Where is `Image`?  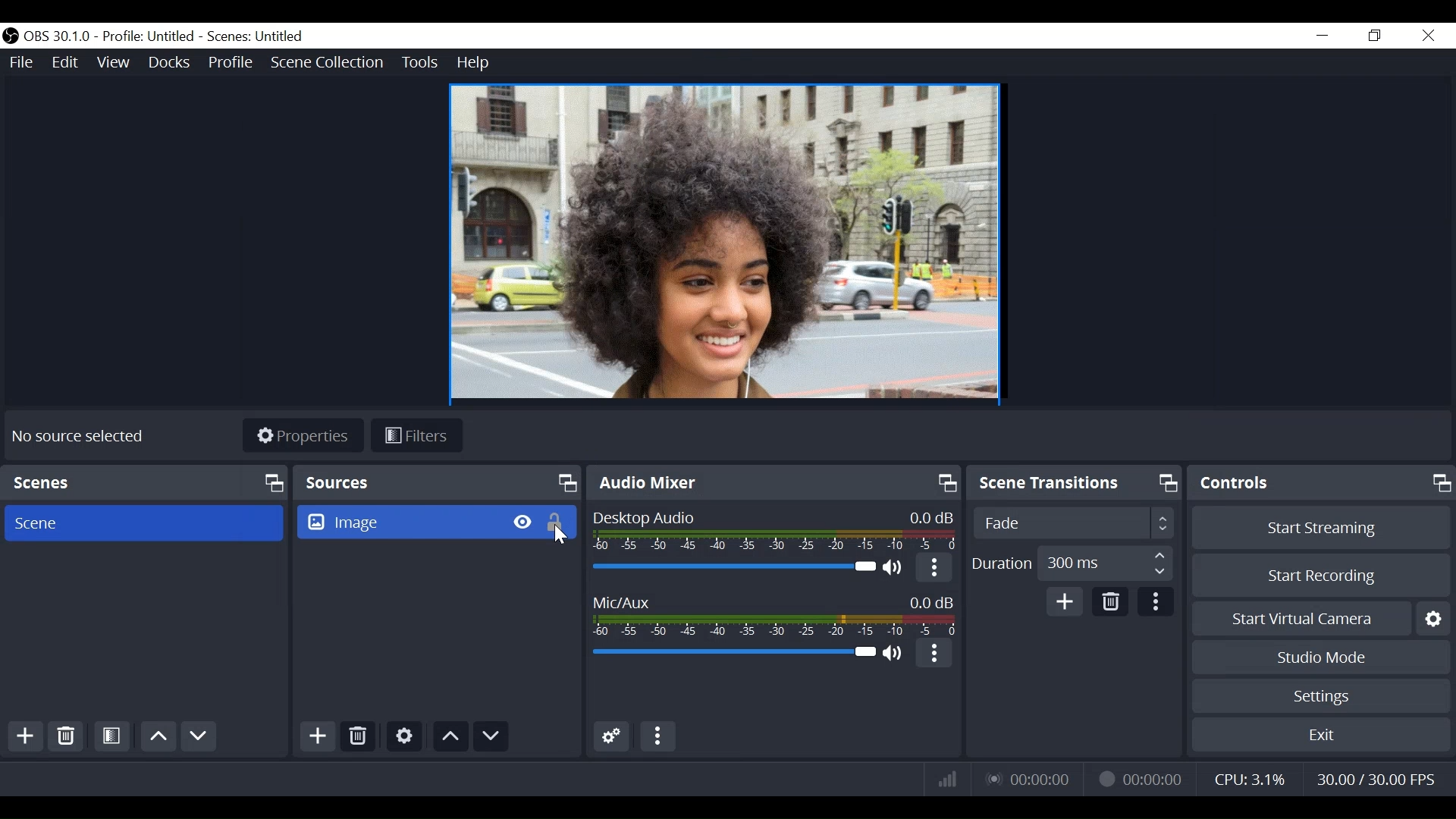 Image is located at coordinates (399, 523).